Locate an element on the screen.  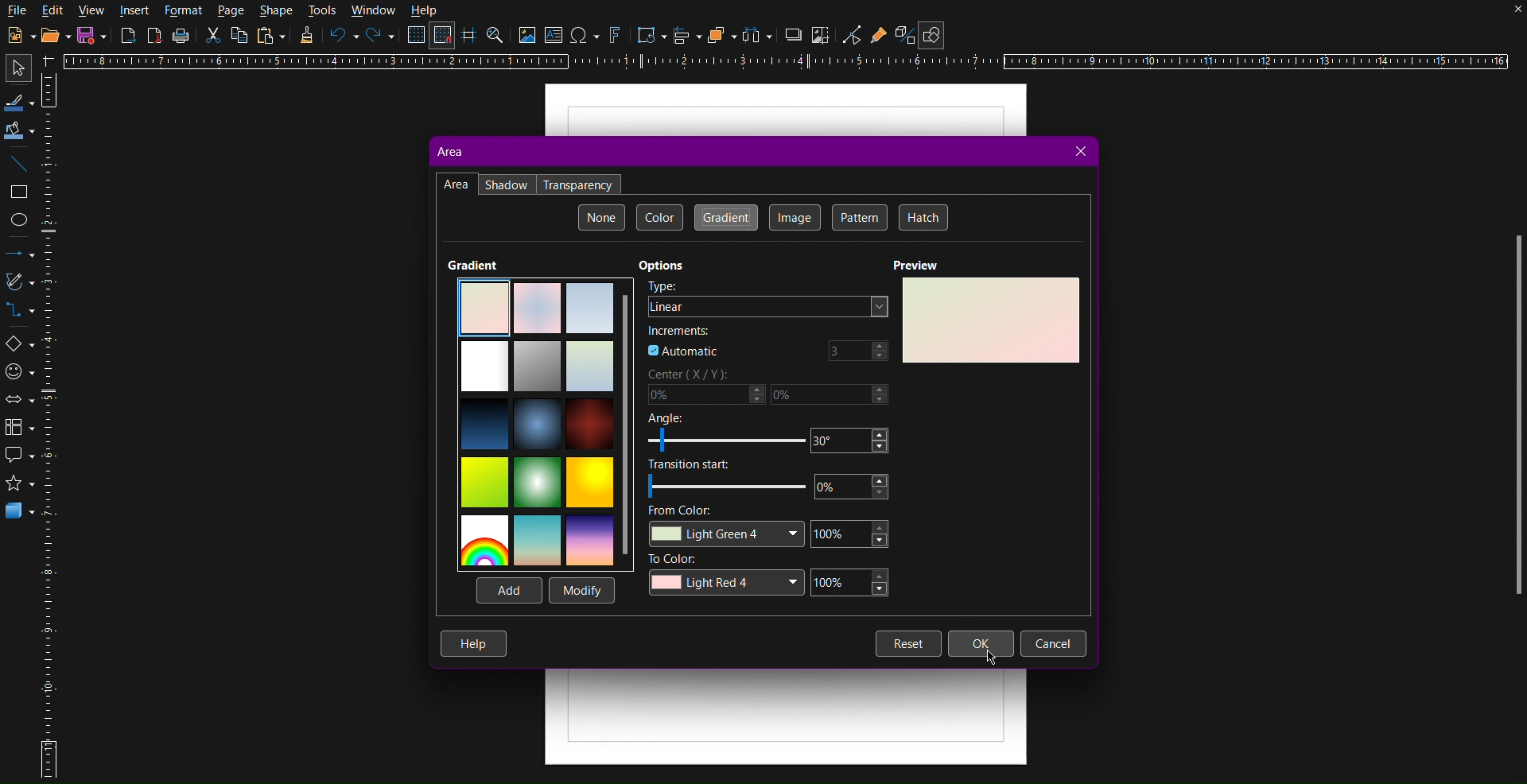
Window is located at coordinates (371, 10).